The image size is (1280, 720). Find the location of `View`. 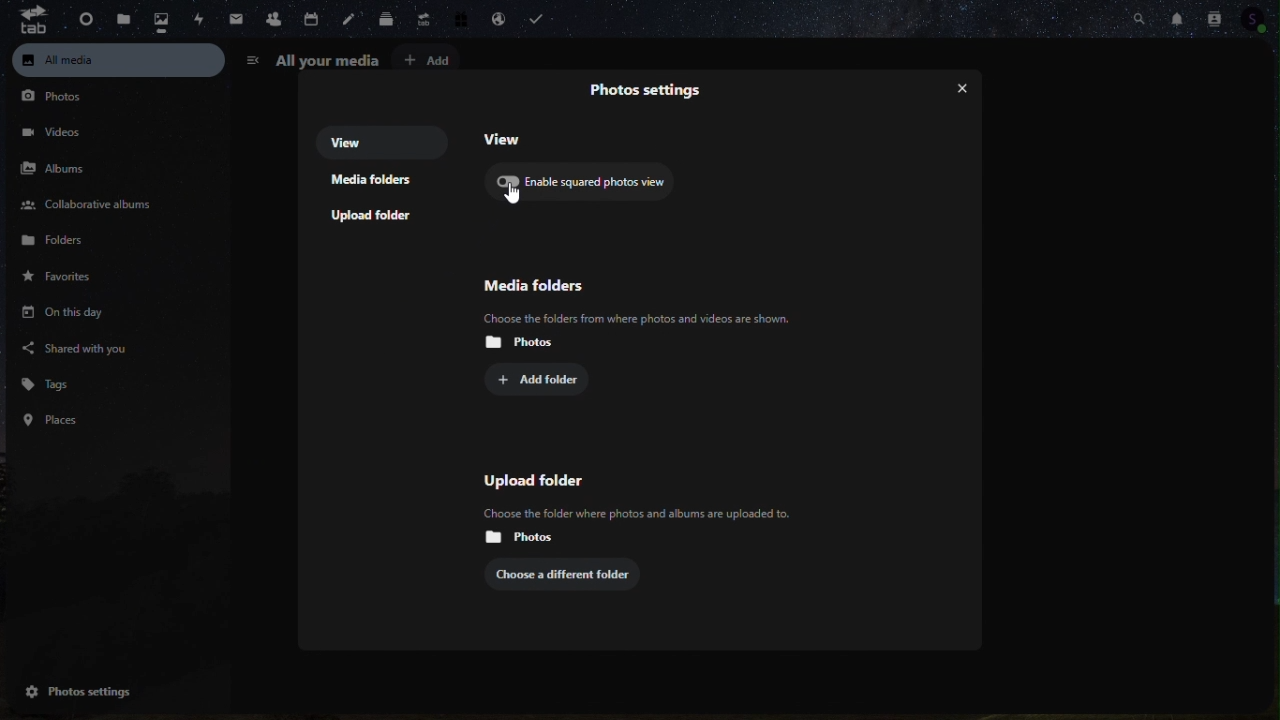

View is located at coordinates (383, 141).